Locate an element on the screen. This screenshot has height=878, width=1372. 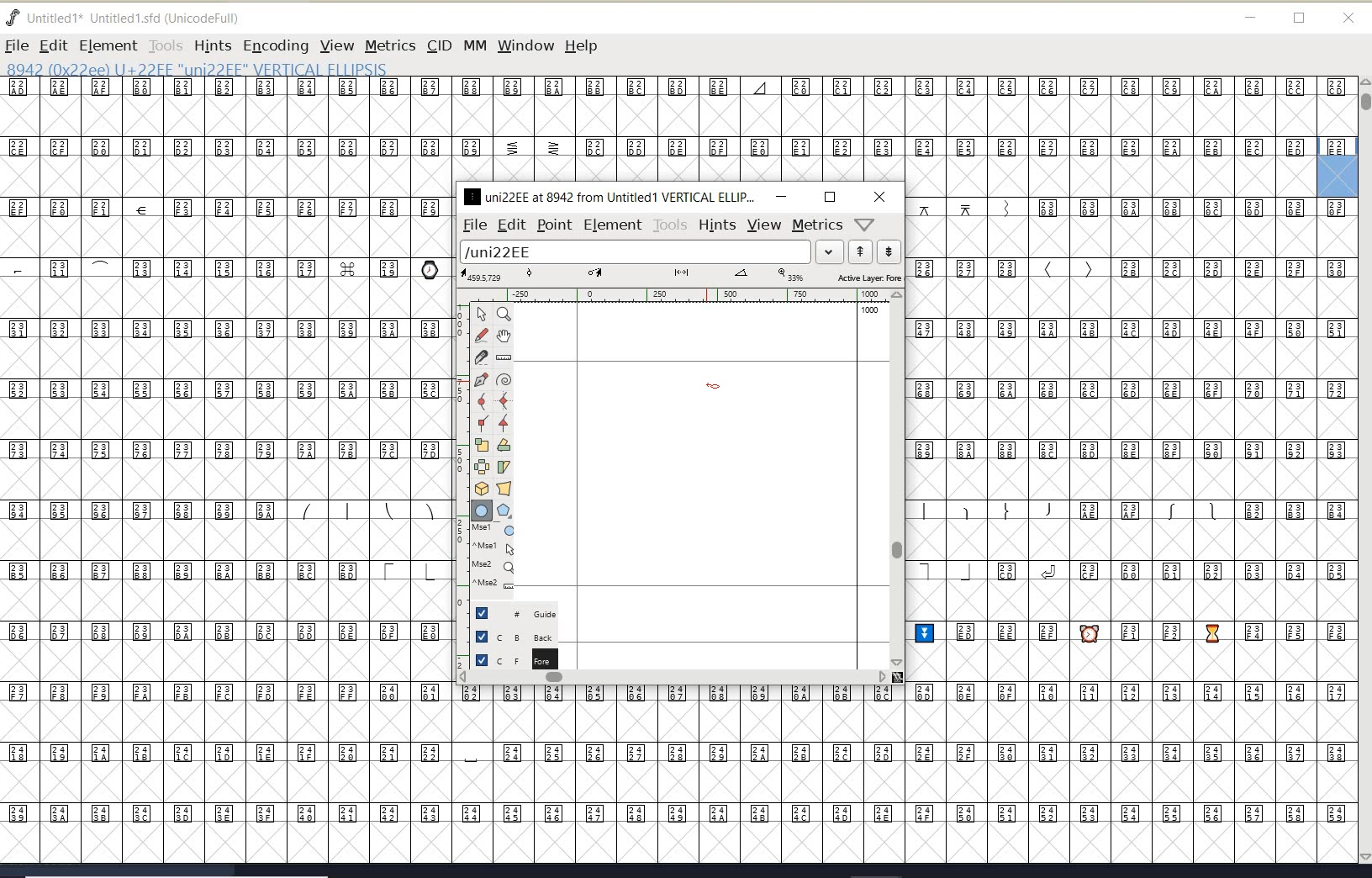
restore is located at coordinates (1300, 19).